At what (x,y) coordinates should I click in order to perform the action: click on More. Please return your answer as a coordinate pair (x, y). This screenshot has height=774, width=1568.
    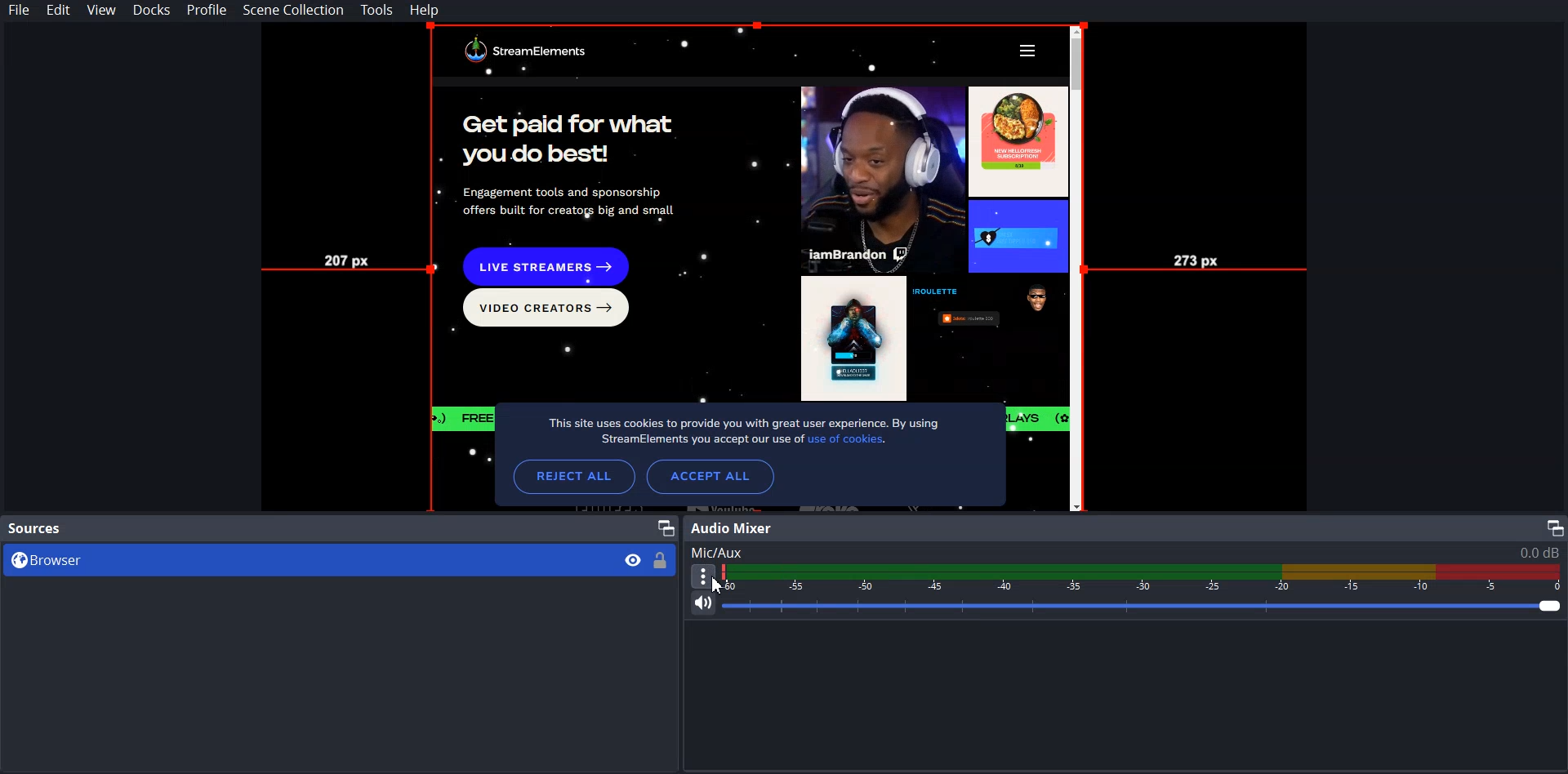
    Looking at the image, I should click on (703, 576).